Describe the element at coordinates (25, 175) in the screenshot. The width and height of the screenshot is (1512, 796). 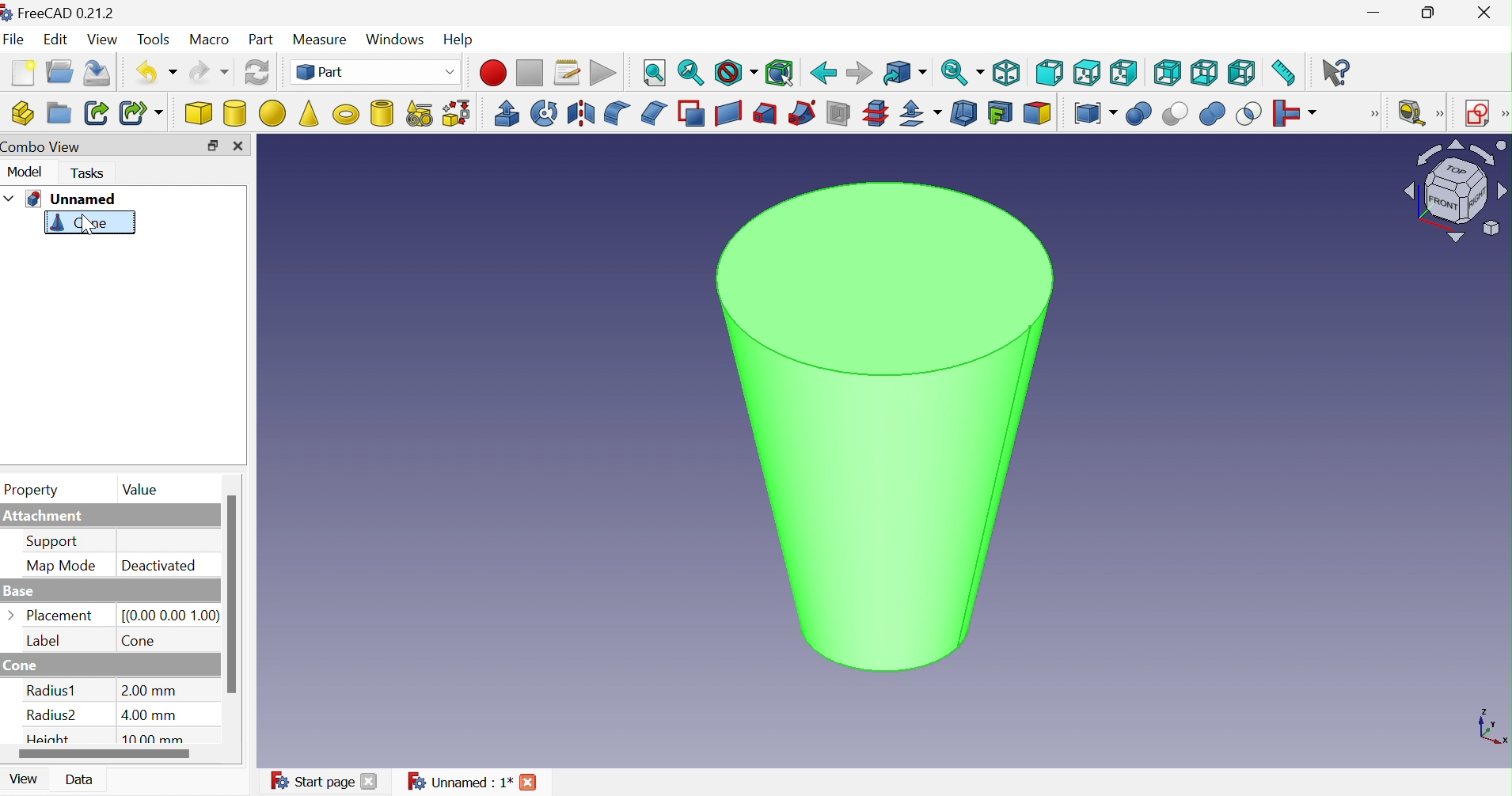
I see `Model` at that location.